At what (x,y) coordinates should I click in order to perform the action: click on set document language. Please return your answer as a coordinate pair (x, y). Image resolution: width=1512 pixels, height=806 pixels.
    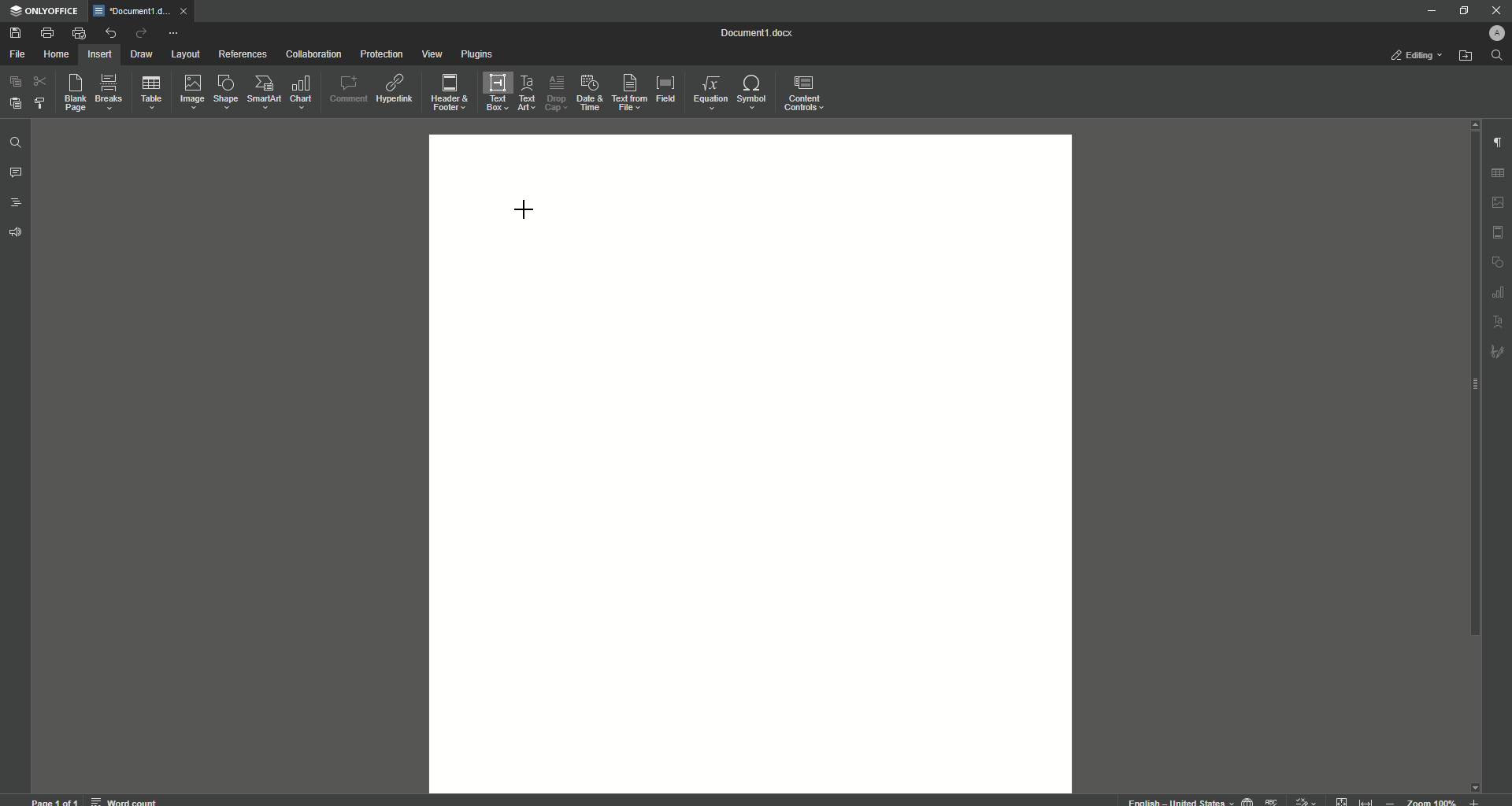
    Looking at the image, I should click on (1247, 800).